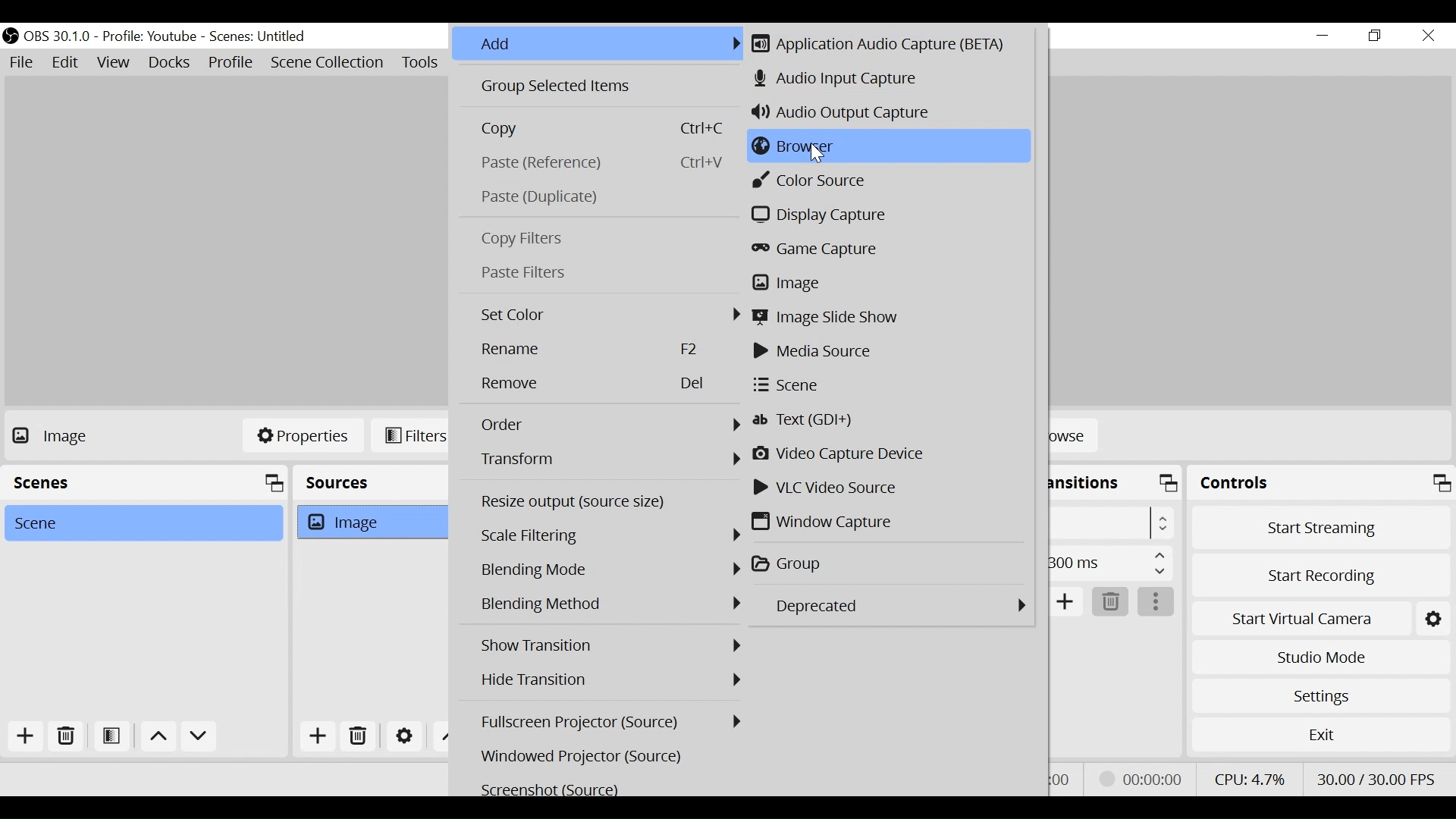 Image resolution: width=1456 pixels, height=819 pixels. Describe the element at coordinates (234, 64) in the screenshot. I see `Profile` at that location.